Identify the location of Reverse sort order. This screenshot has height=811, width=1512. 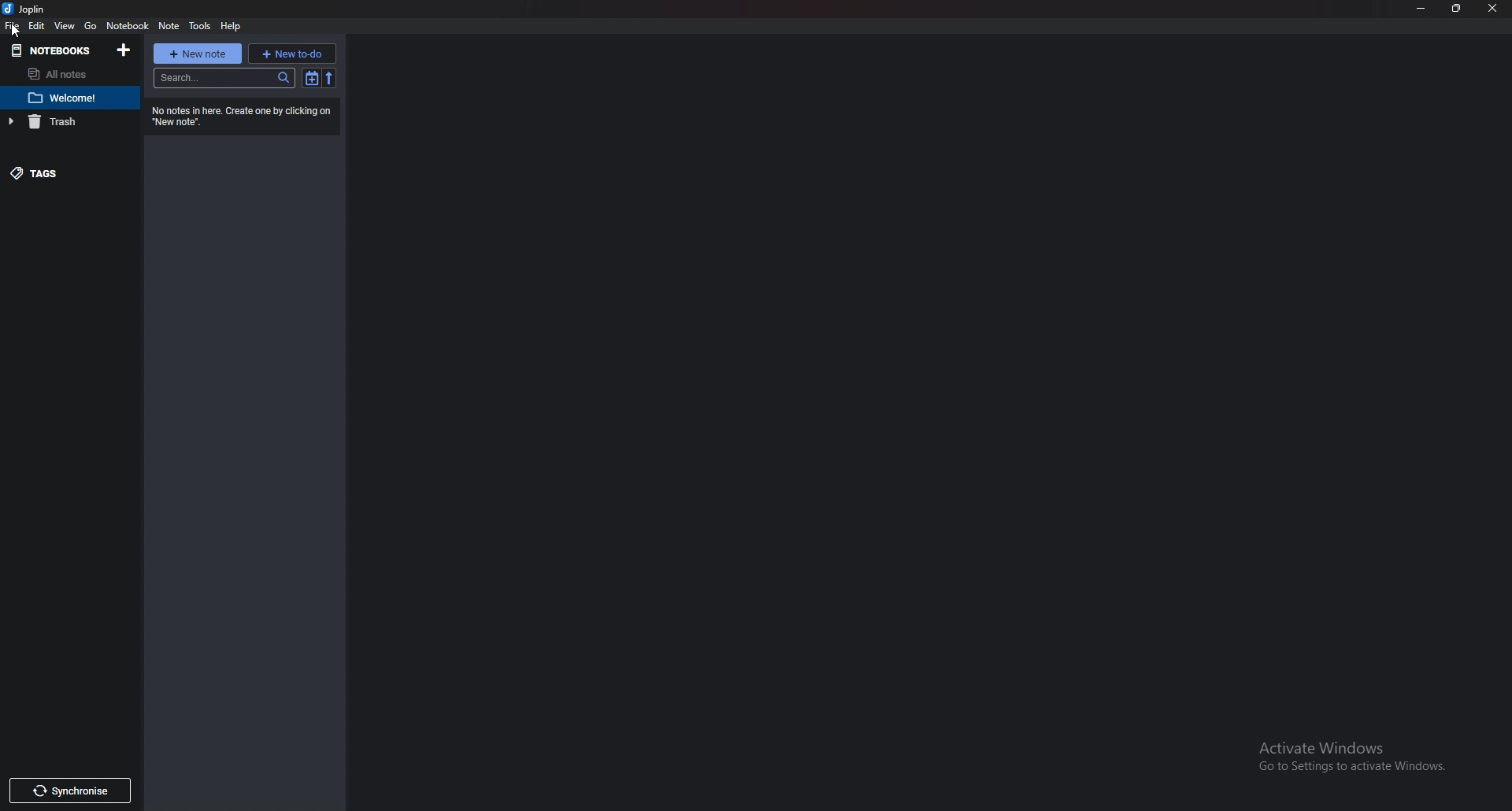
(330, 78).